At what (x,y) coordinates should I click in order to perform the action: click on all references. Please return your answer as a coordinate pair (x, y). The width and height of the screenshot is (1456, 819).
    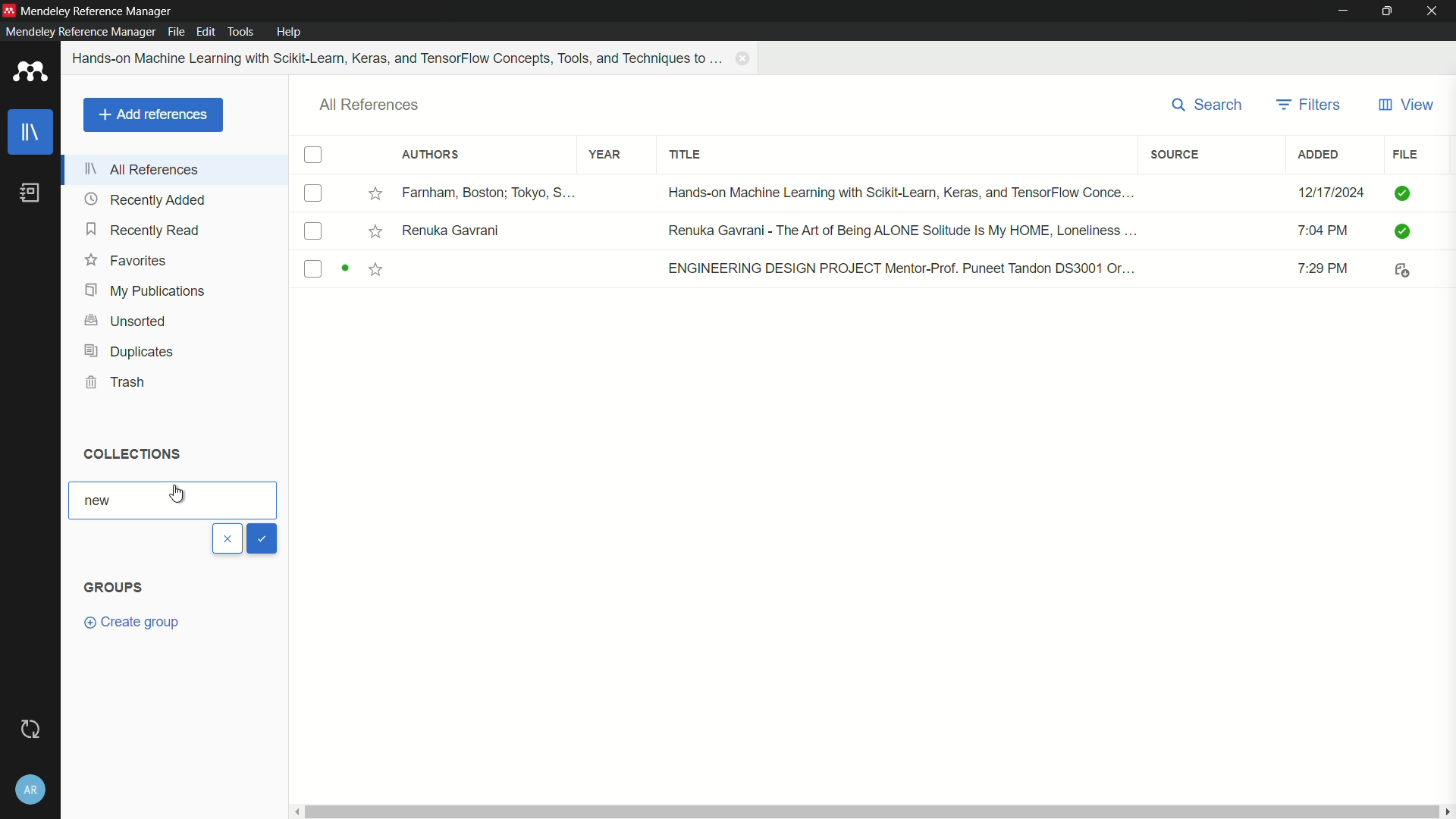
    Looking at the image, I should click on (370, 105).